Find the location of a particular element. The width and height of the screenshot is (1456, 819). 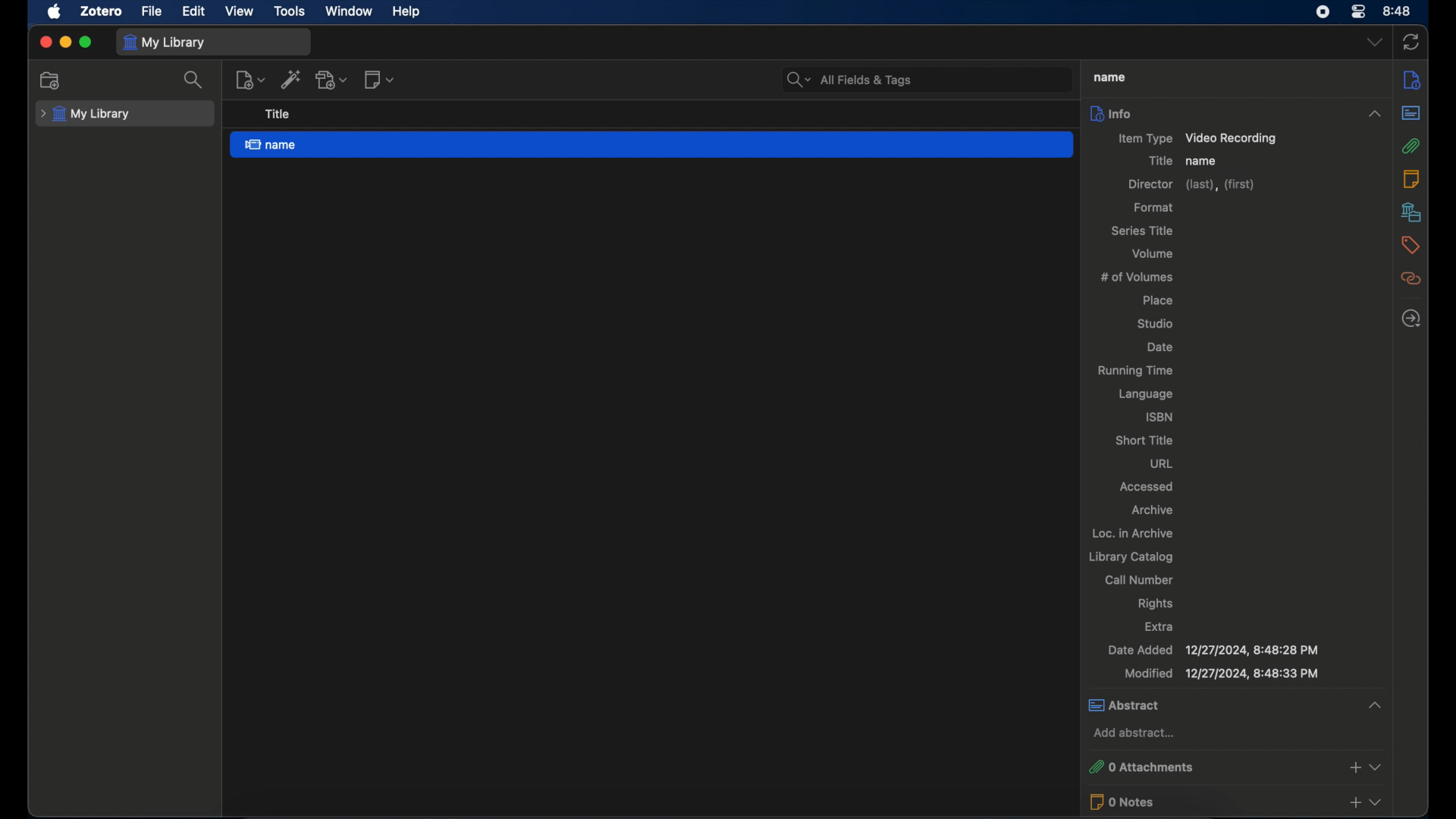

attachments is located at coordinates (1410, 146).